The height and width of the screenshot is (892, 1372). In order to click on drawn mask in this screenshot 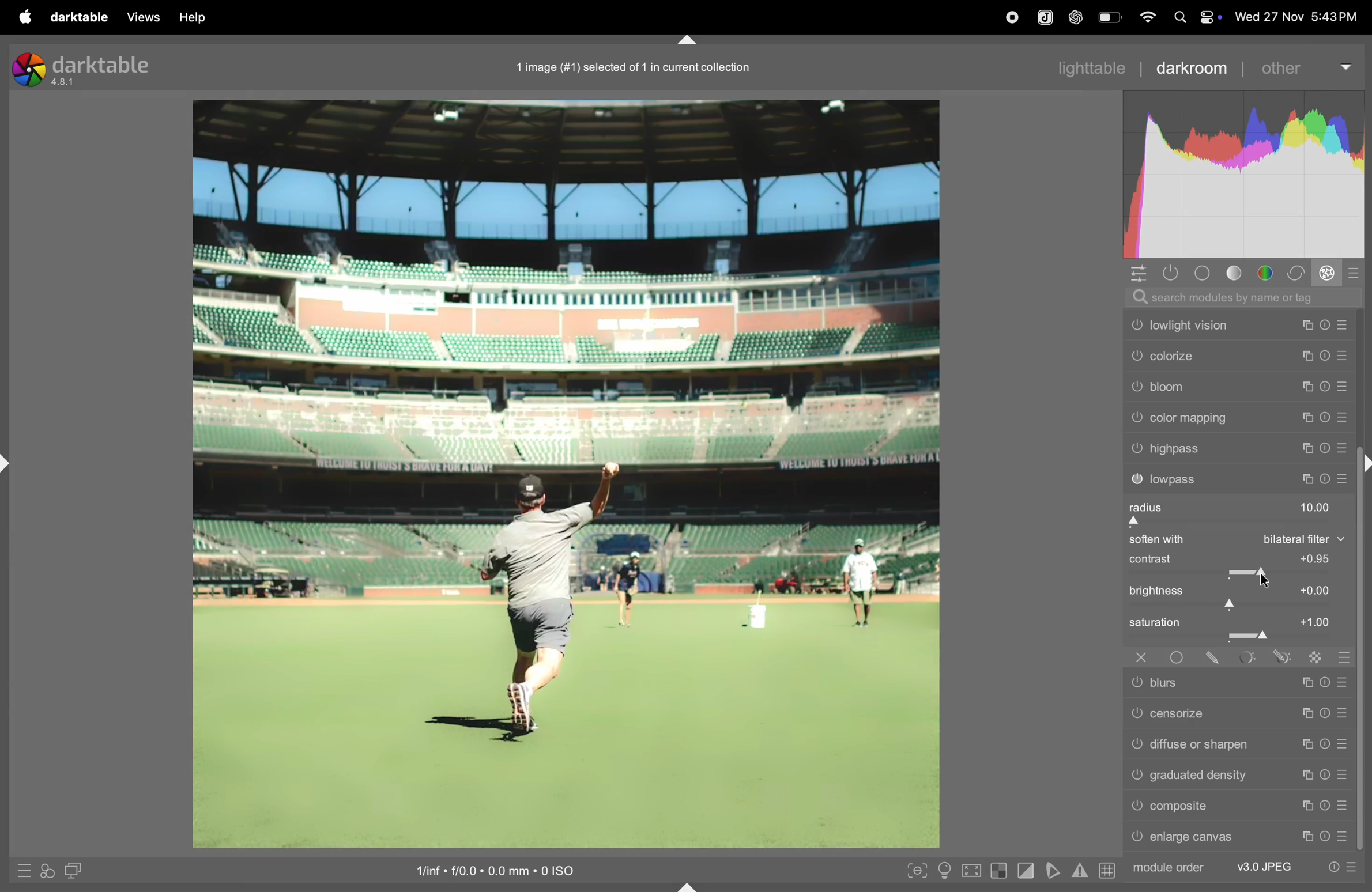, I will do `click(1213, 658)`.